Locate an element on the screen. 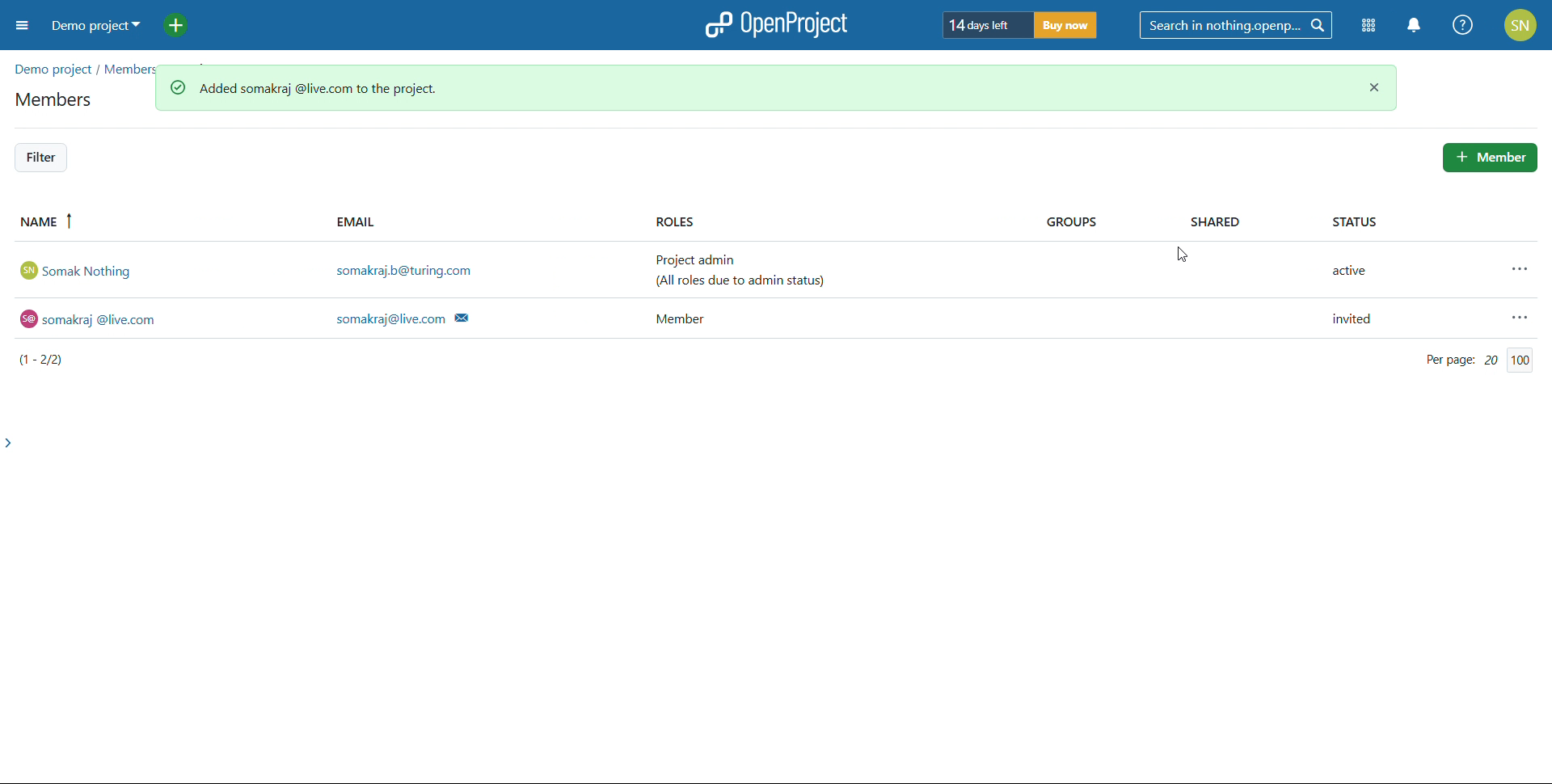 This screenshot has height=784, width=1552. module is located at coordinates (1368, 26).